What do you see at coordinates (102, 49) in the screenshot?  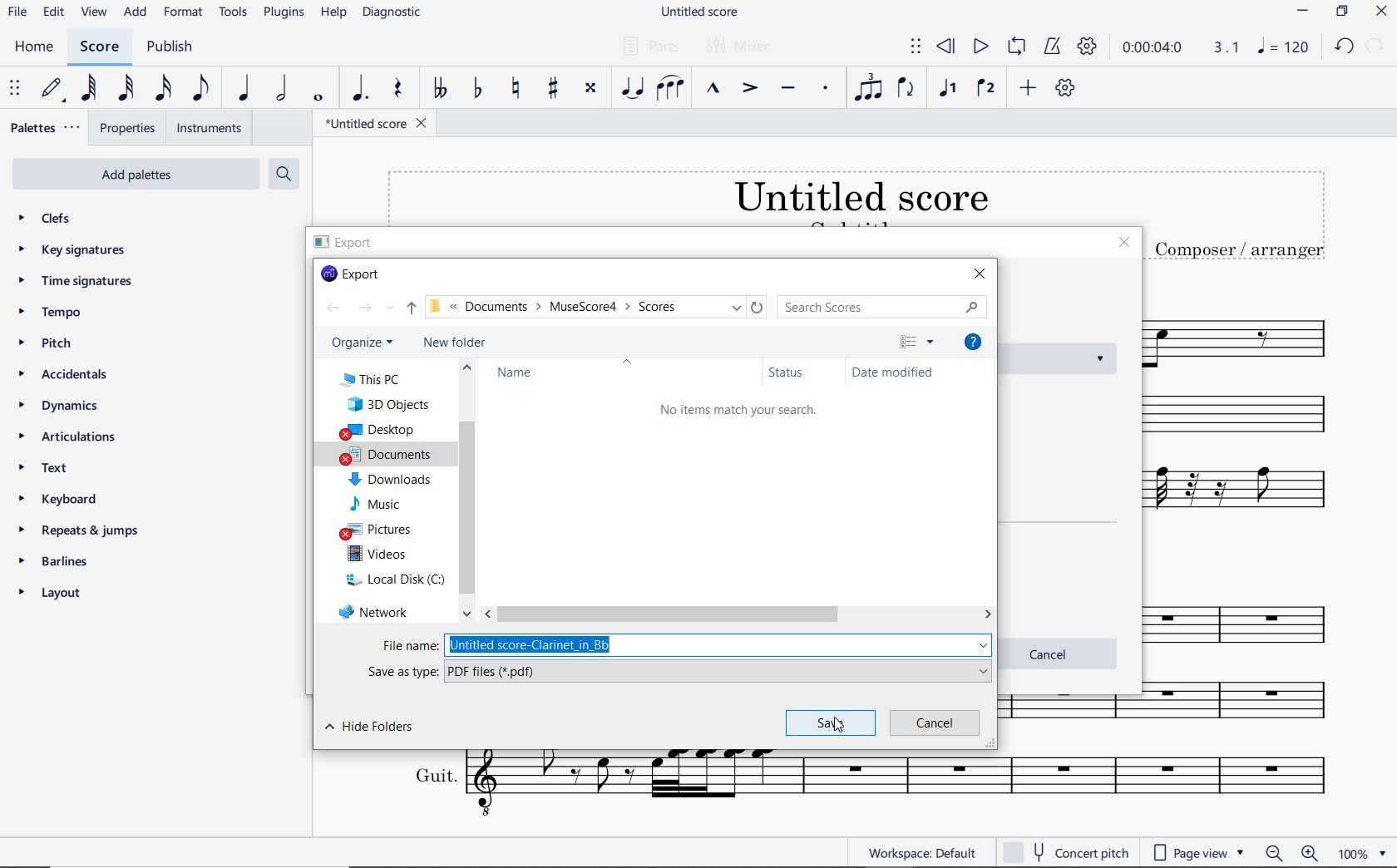 I see `SCORE` at bounding box center [102, 49].